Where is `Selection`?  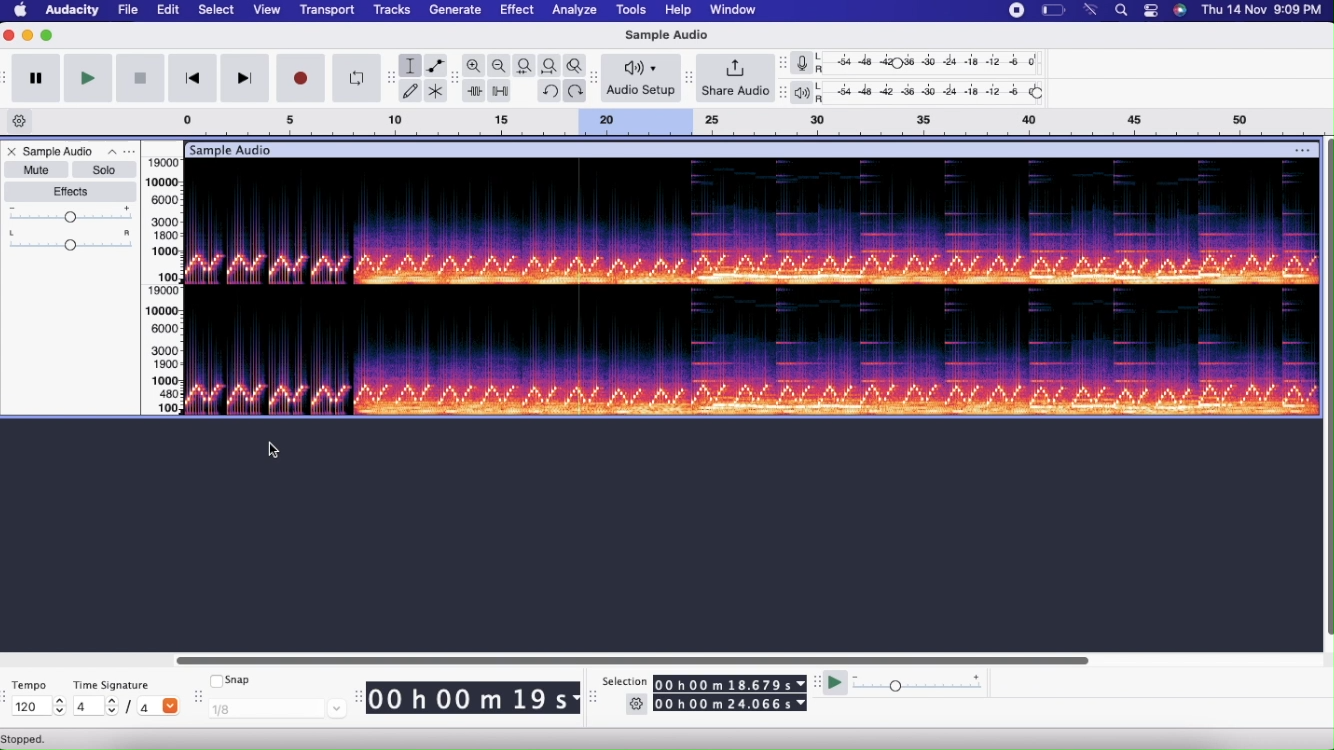
Selection is located at coordinates (626, 682).